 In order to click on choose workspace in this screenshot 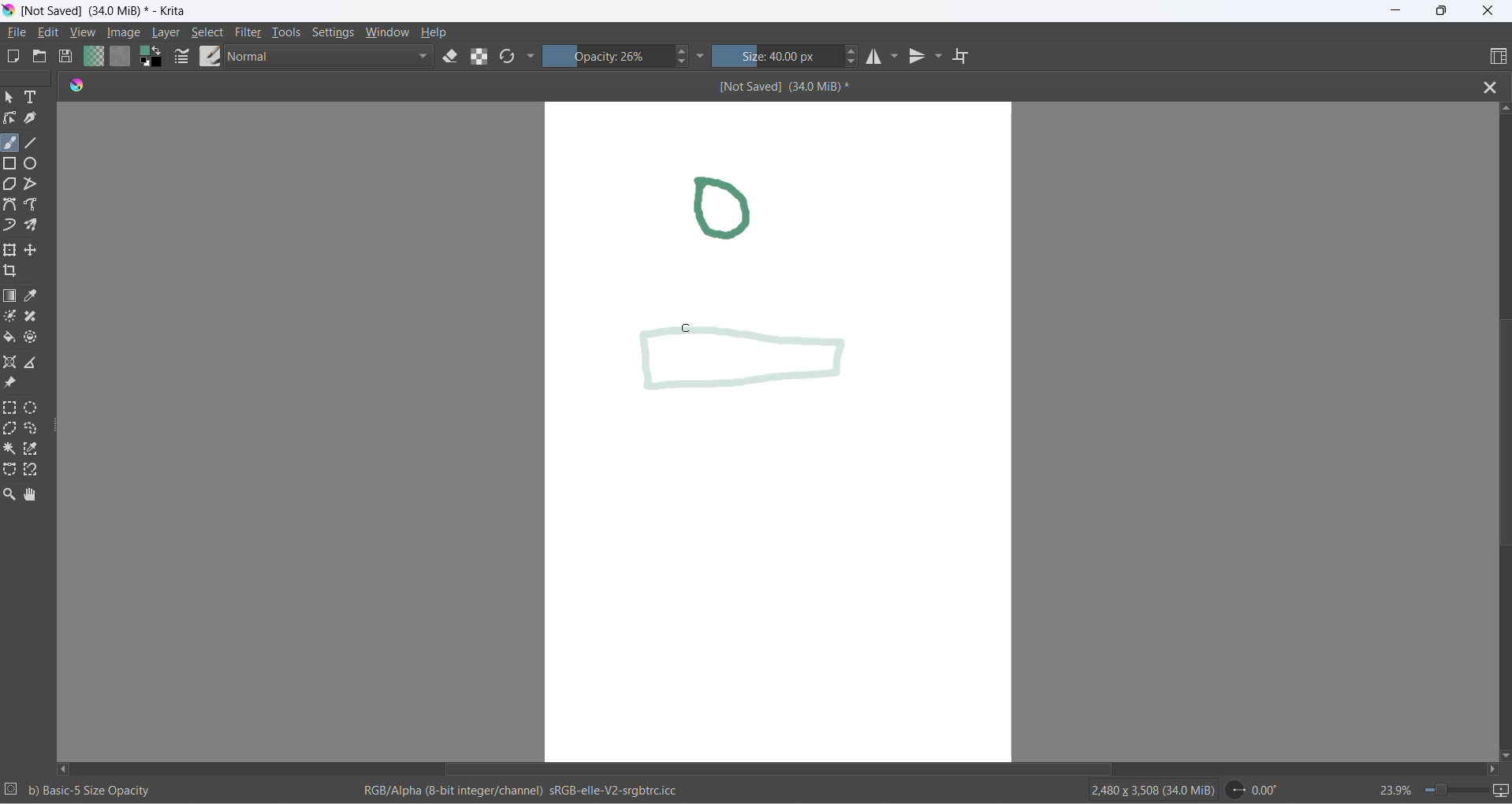, I will do `click(1490, 56)`.